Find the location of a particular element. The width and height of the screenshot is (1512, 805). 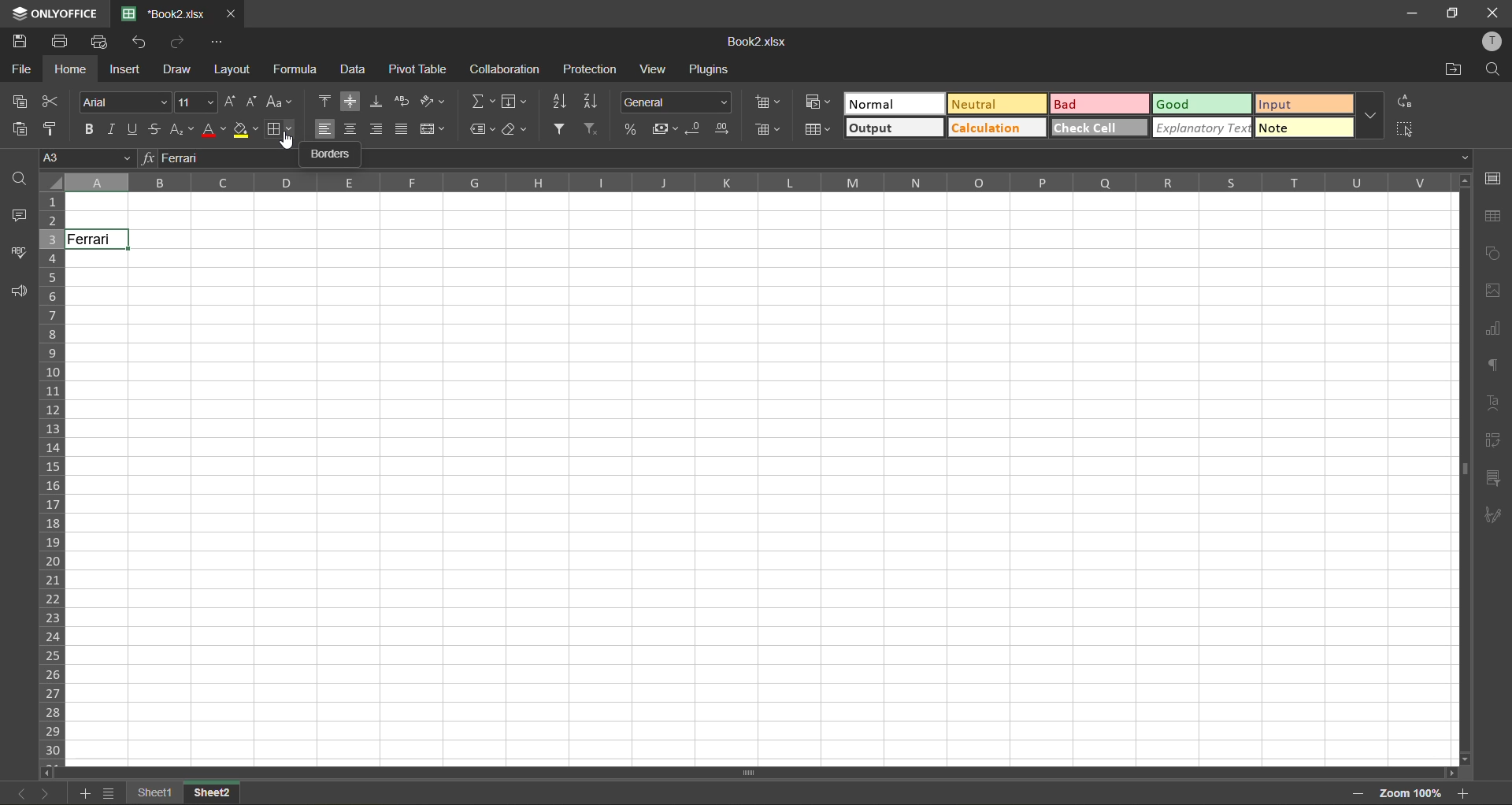

data is located at coordinates (356, 70).